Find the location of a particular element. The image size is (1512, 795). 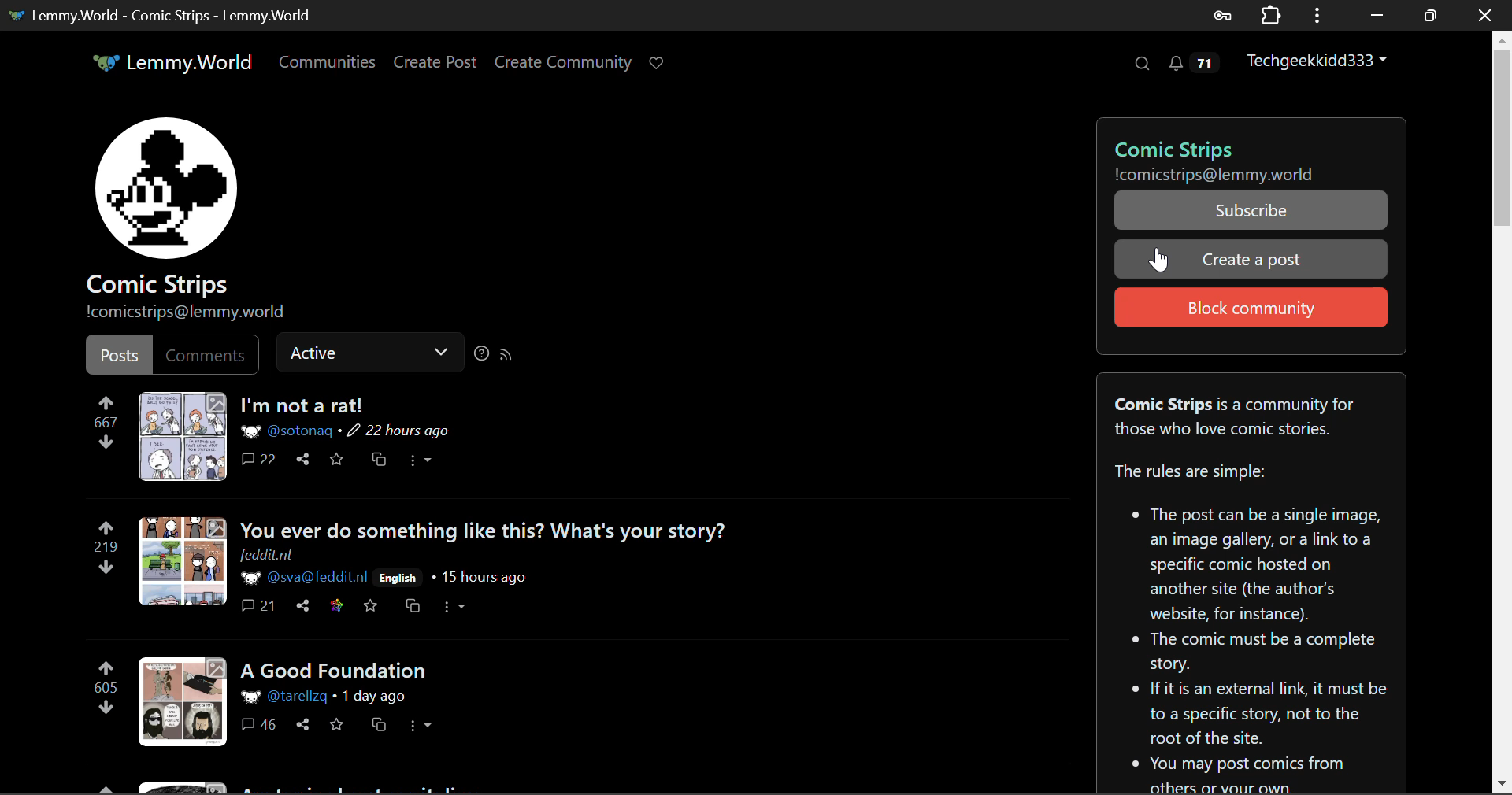

More Options is located at coordinates (419, 461).